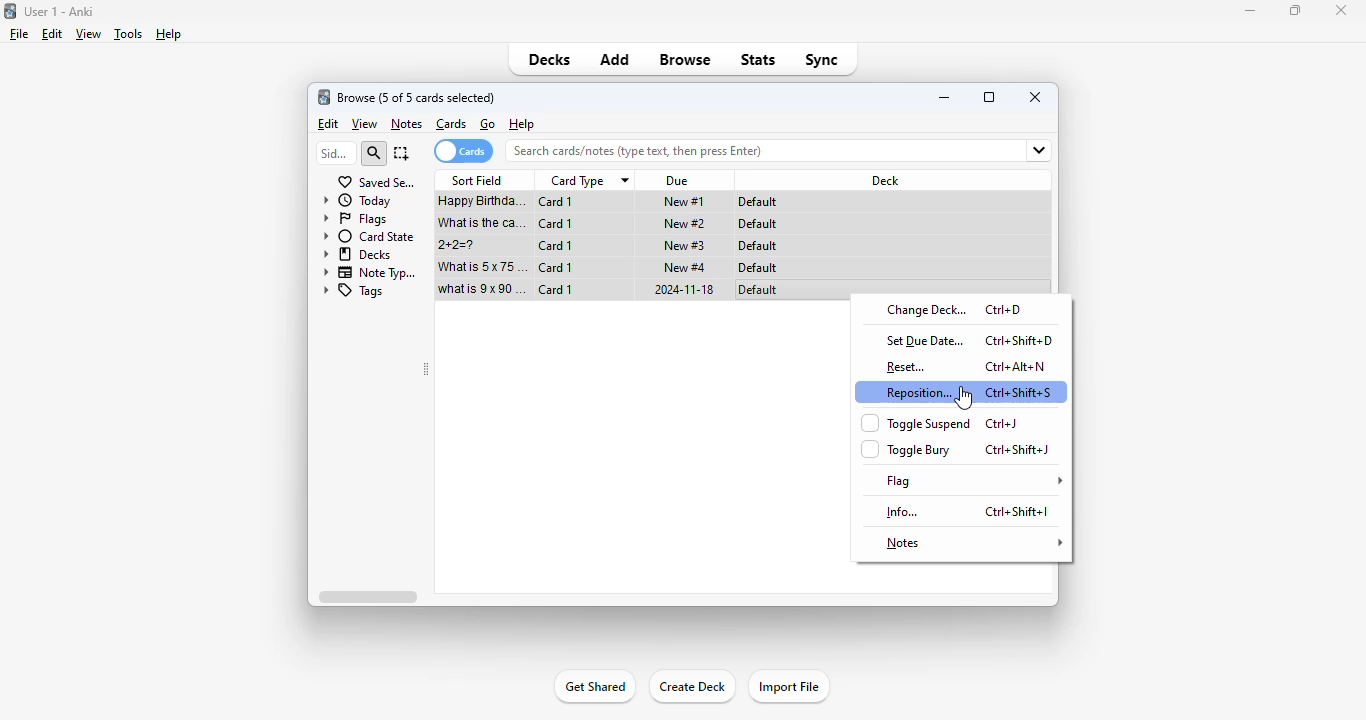 The image size is (1366, 720). Describe the element at coordinates (9, 11) in the screenshot. I see `logo` at that location.